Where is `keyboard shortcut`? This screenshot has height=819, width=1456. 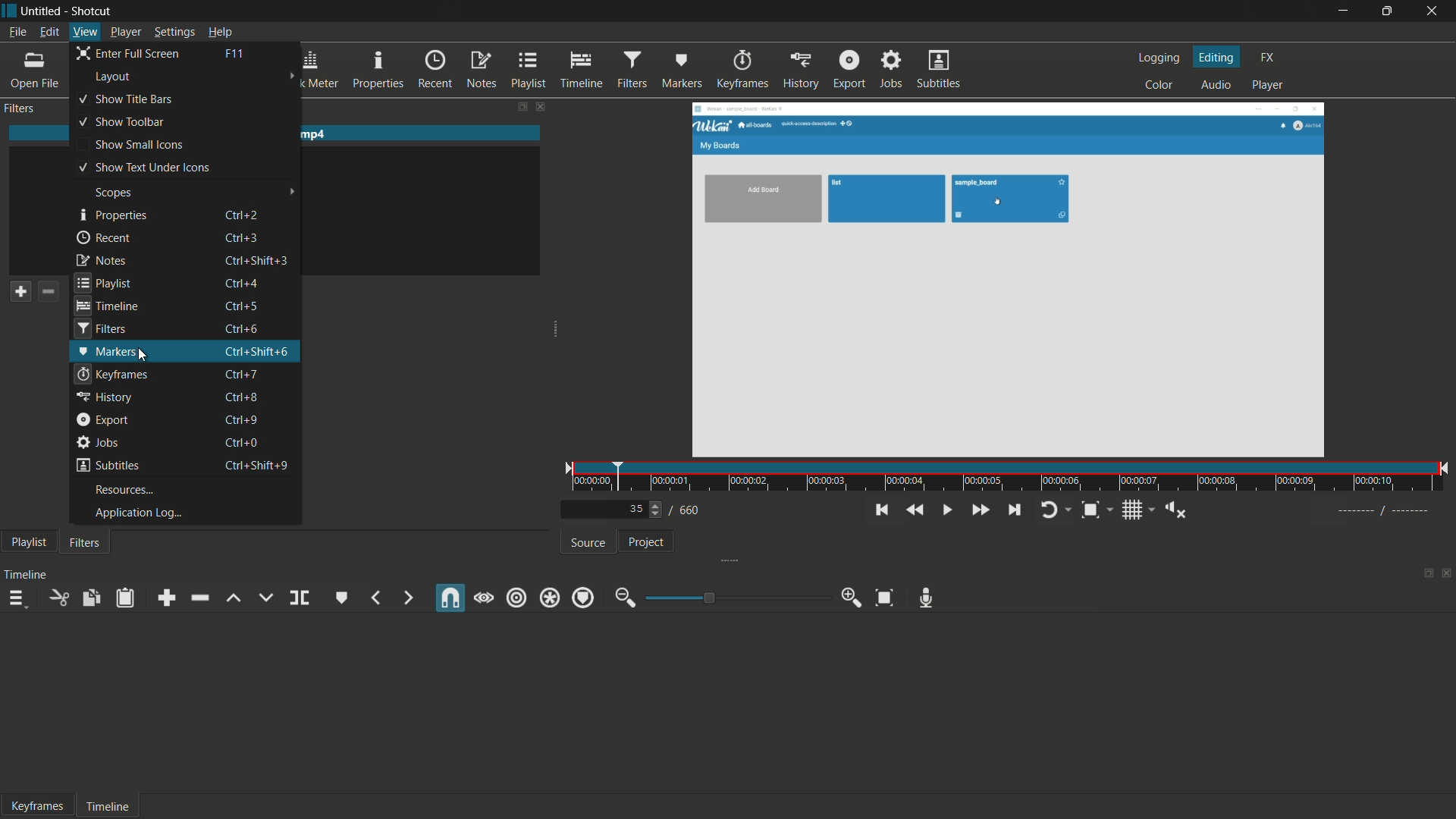
keyboard shortcut is located at coordinates (243, 418).